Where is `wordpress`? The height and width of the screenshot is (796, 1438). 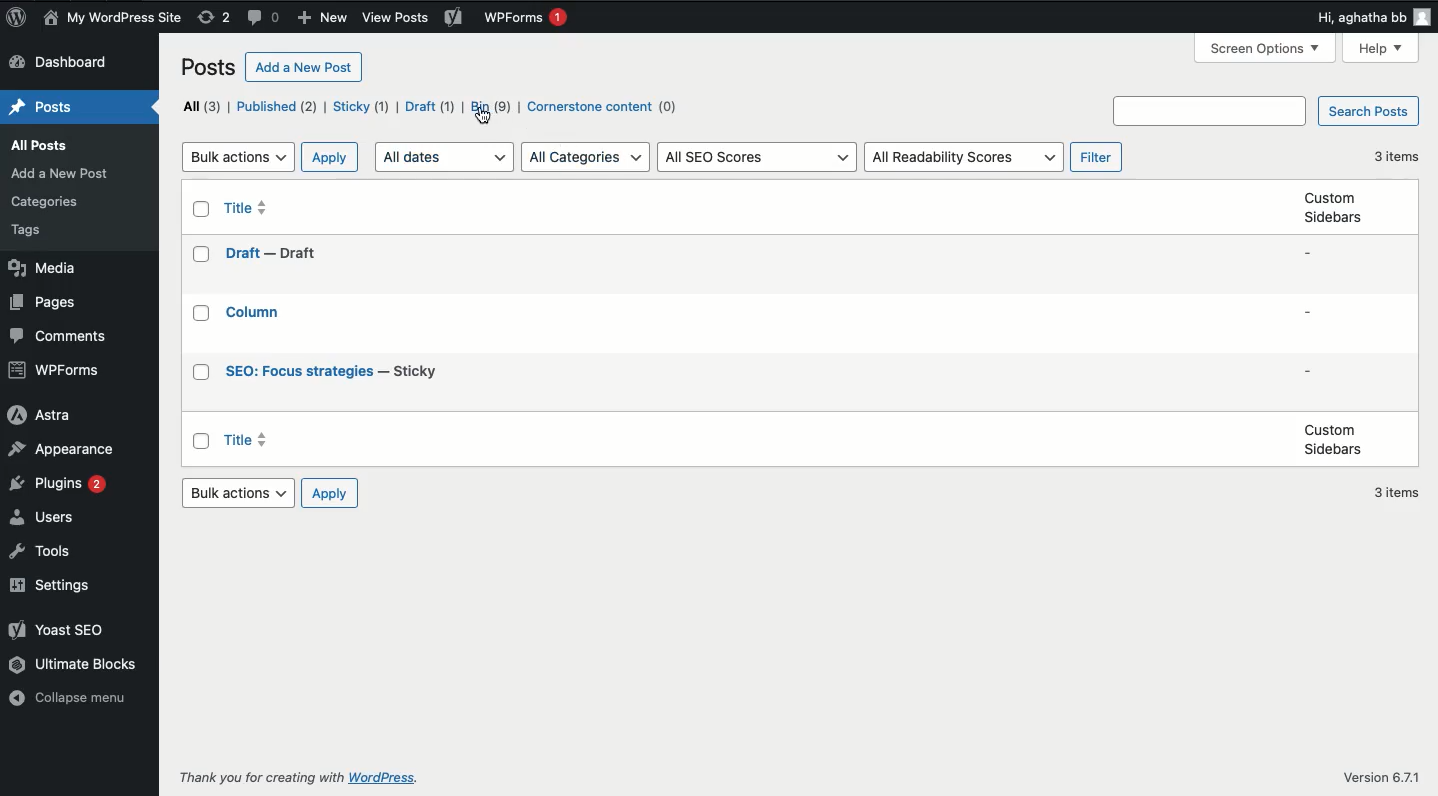
wordpress is located at coordinates (383, 778).